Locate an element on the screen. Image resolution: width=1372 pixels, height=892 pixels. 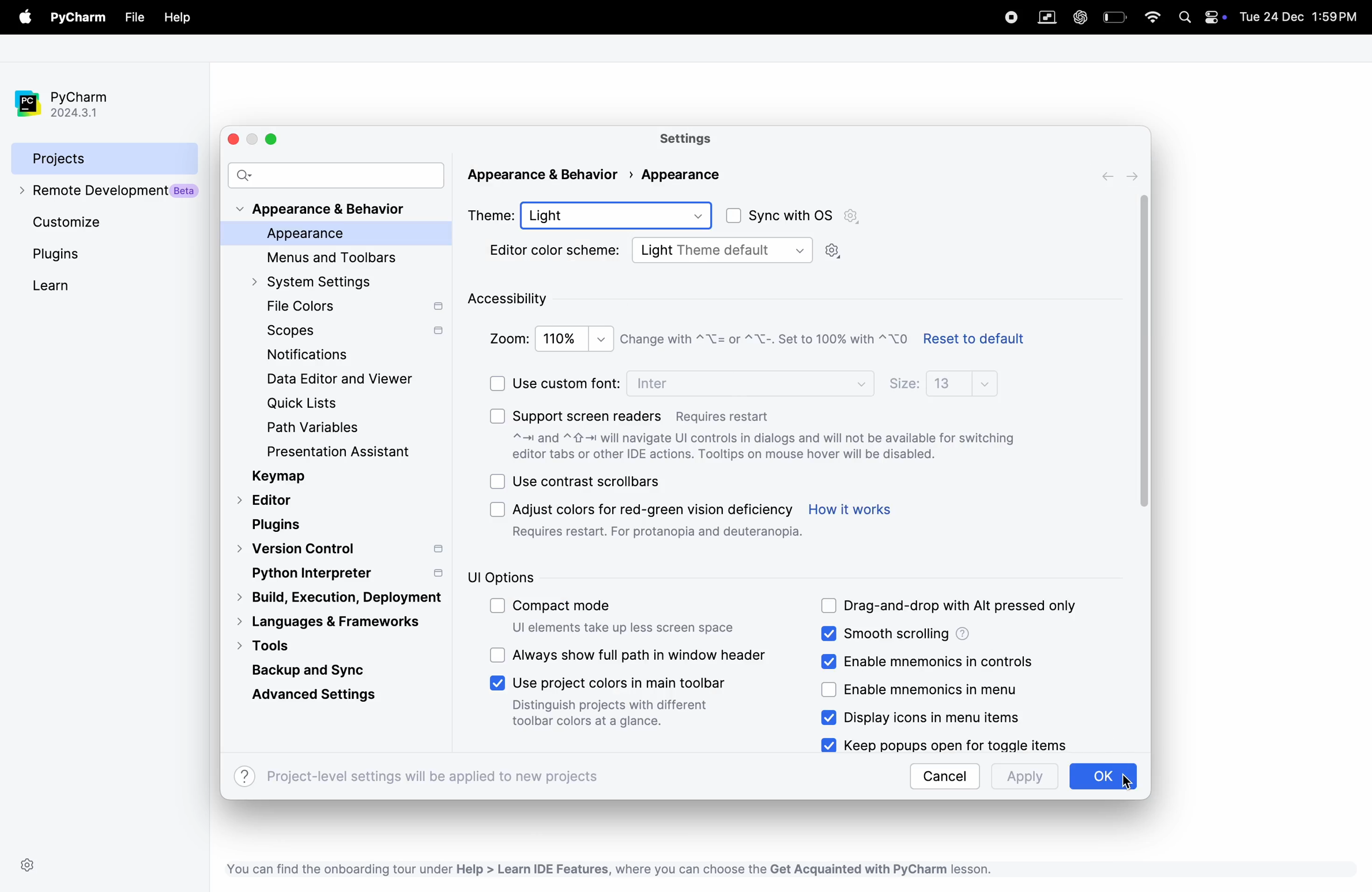
100 is located at coordinates (573, 338).